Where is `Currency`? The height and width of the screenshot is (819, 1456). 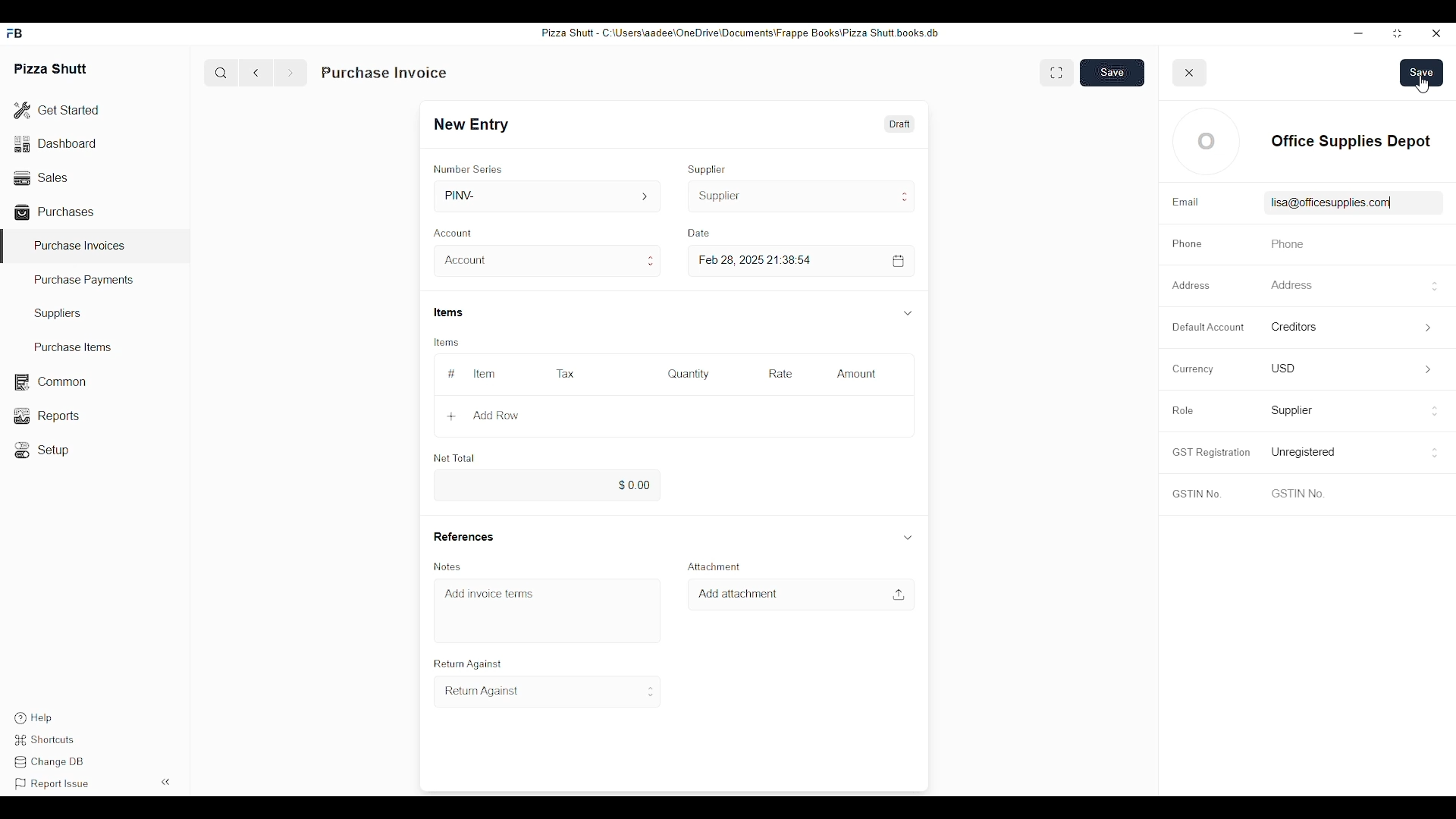
Currency is located at coordinates (1190, 369).